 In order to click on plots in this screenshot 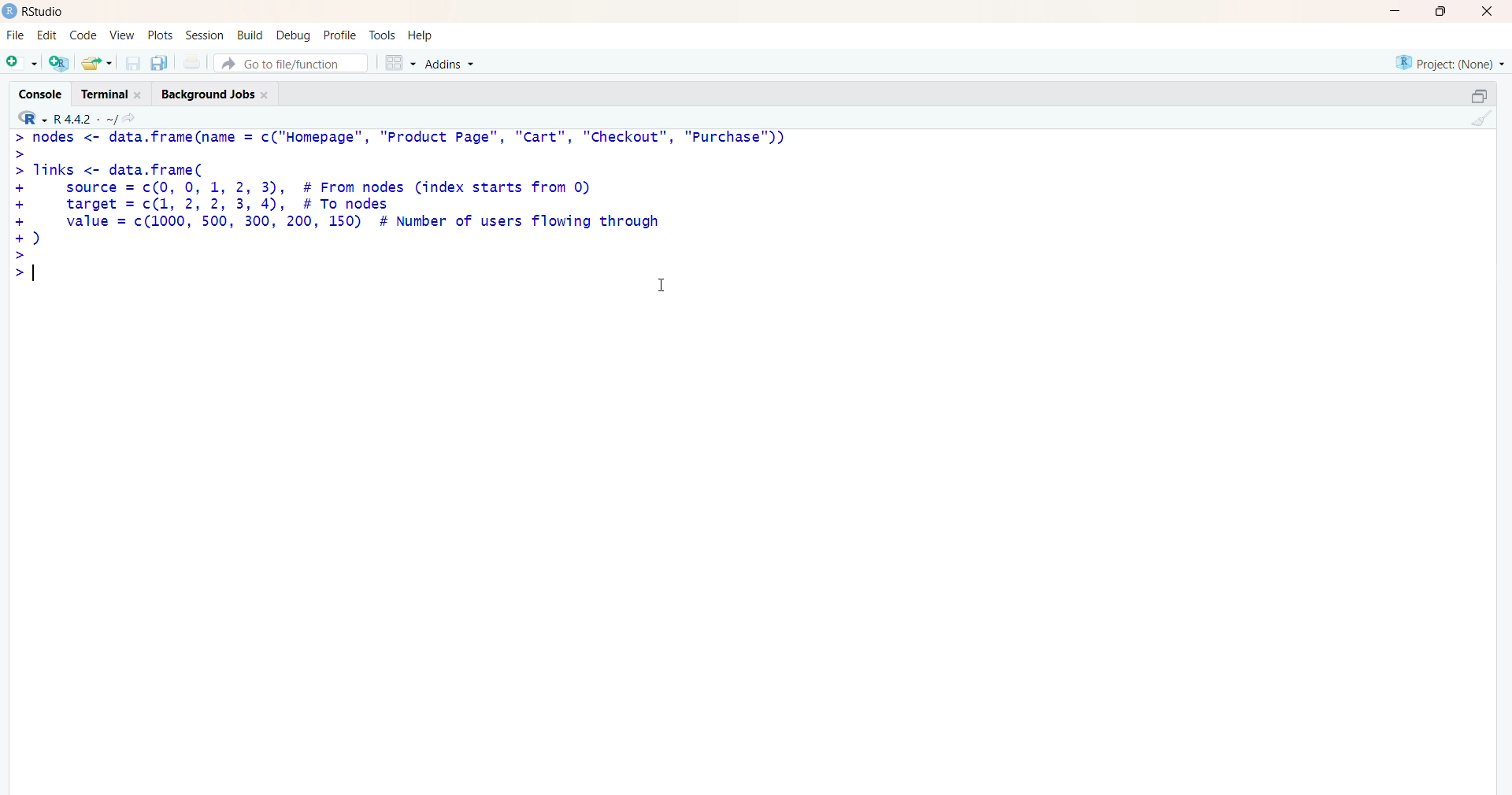, I will do `click(156, 33)`.